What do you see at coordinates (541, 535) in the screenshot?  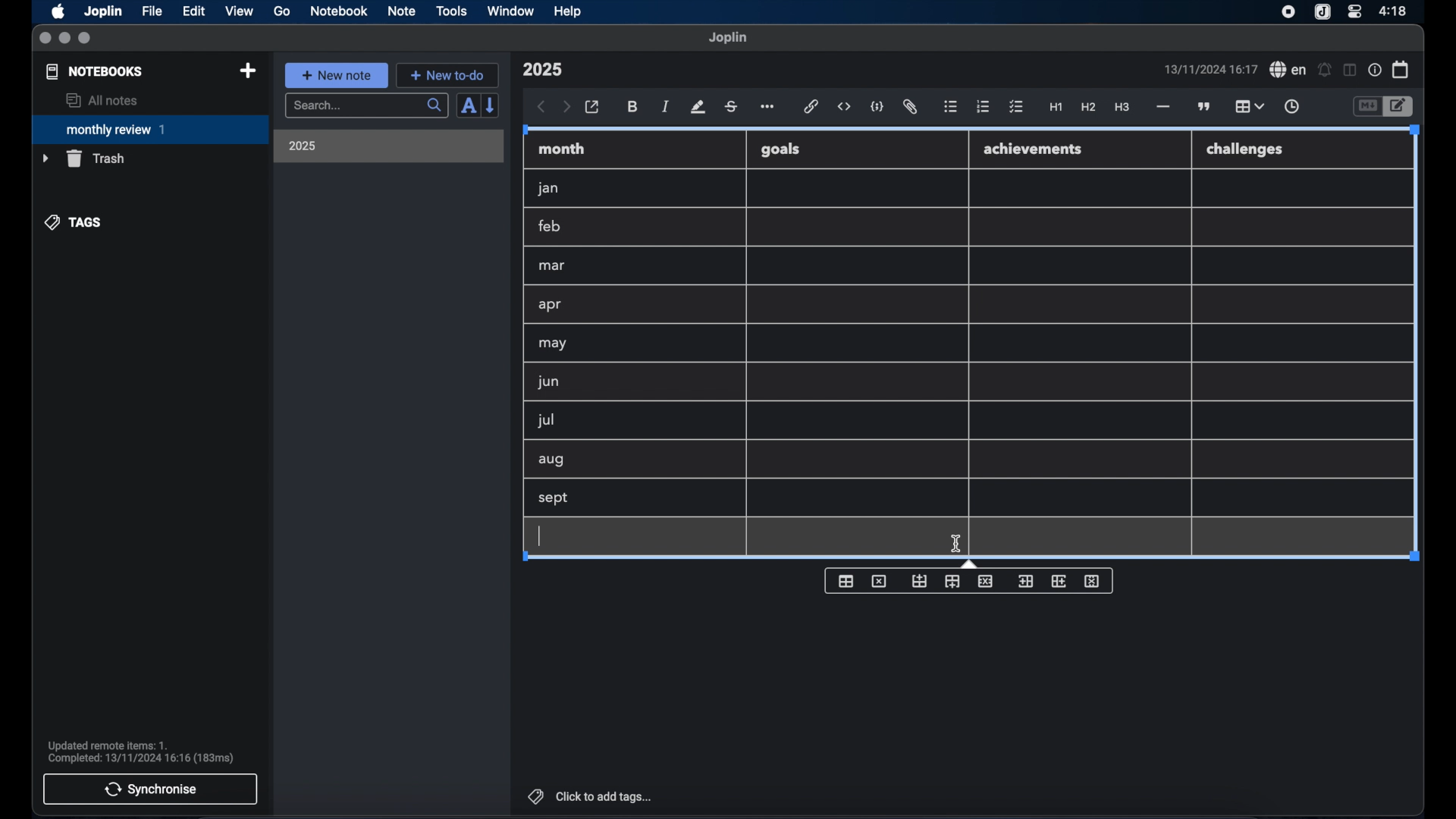 I see `text cursor` at bounding box center [541, 535].